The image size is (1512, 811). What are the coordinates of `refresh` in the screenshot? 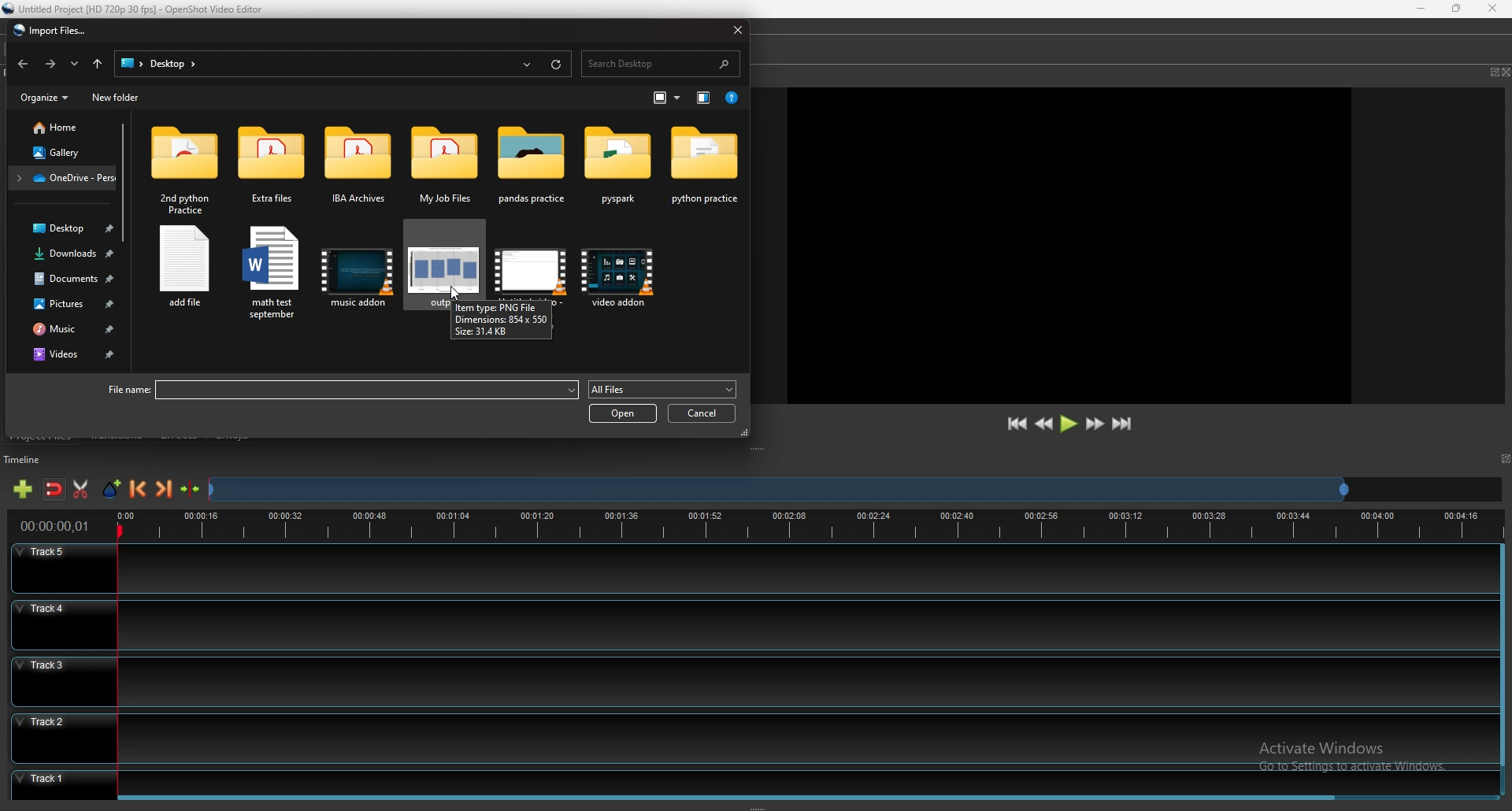 It's located at (557, 65).